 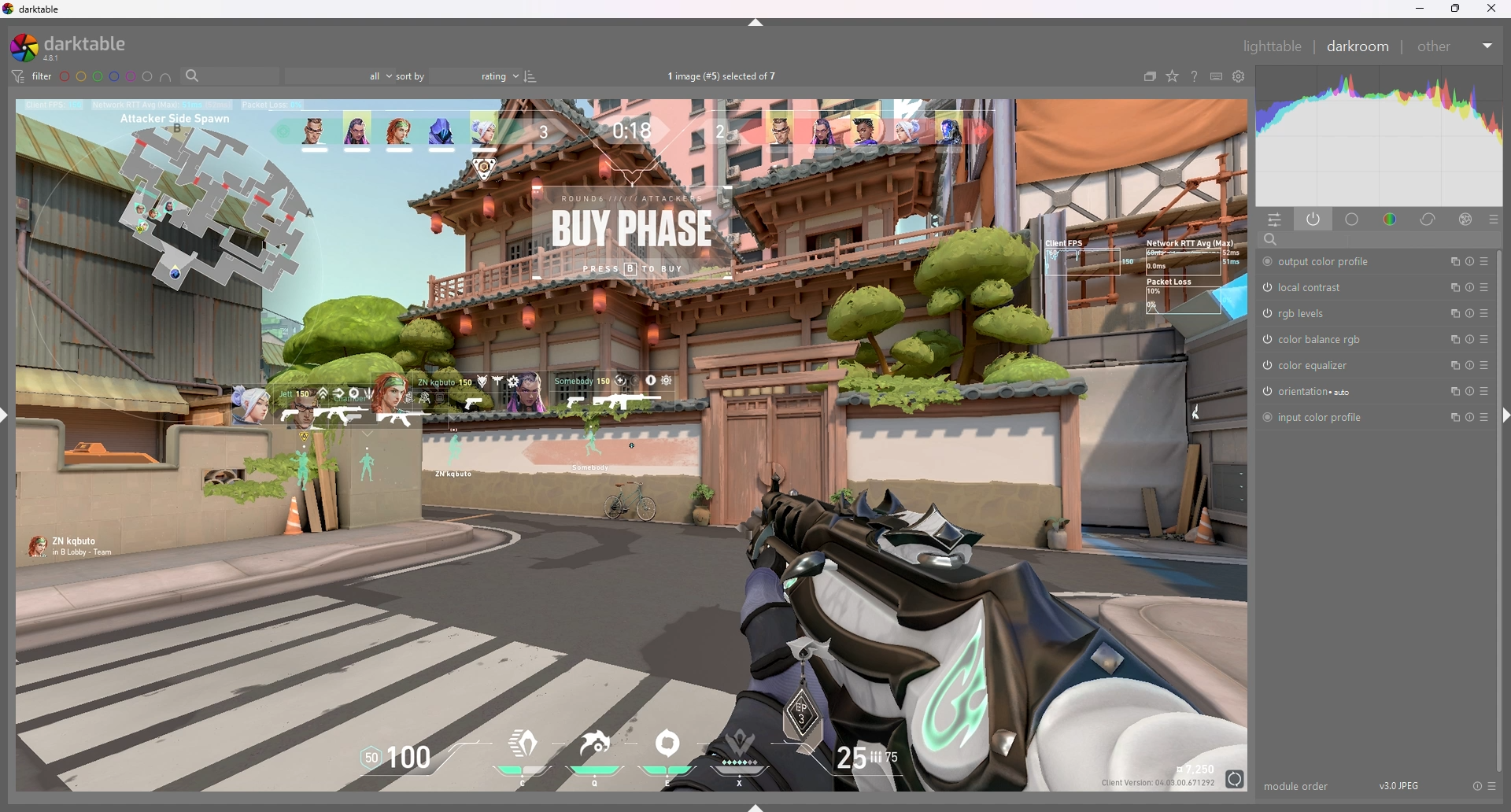 What do you see at coordinates (1469, 261) in the screenshot?
I see `reset` at bounding box center [1469, 261].